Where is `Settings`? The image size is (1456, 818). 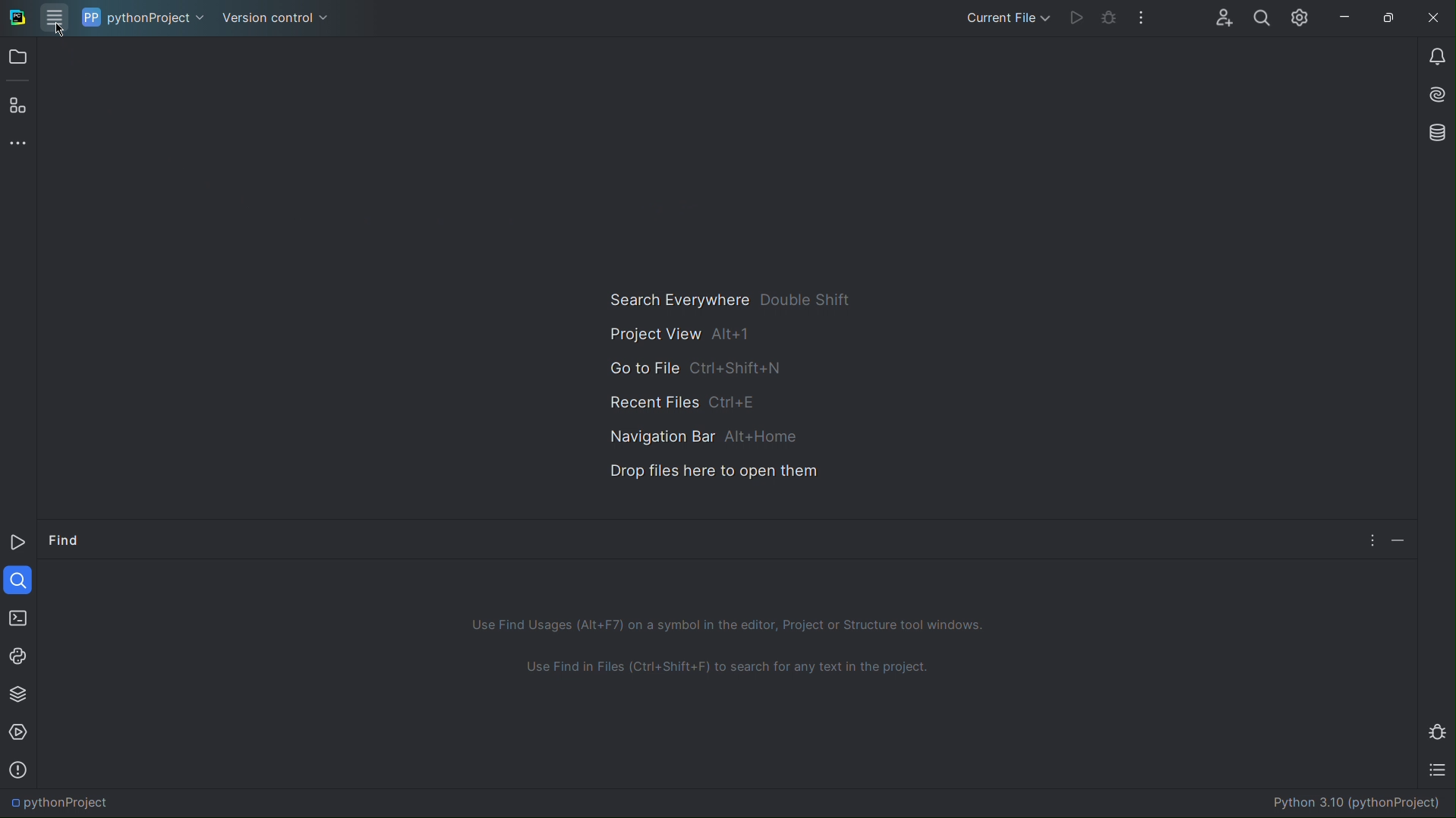
Settings is located at coordinates (1298, 17).